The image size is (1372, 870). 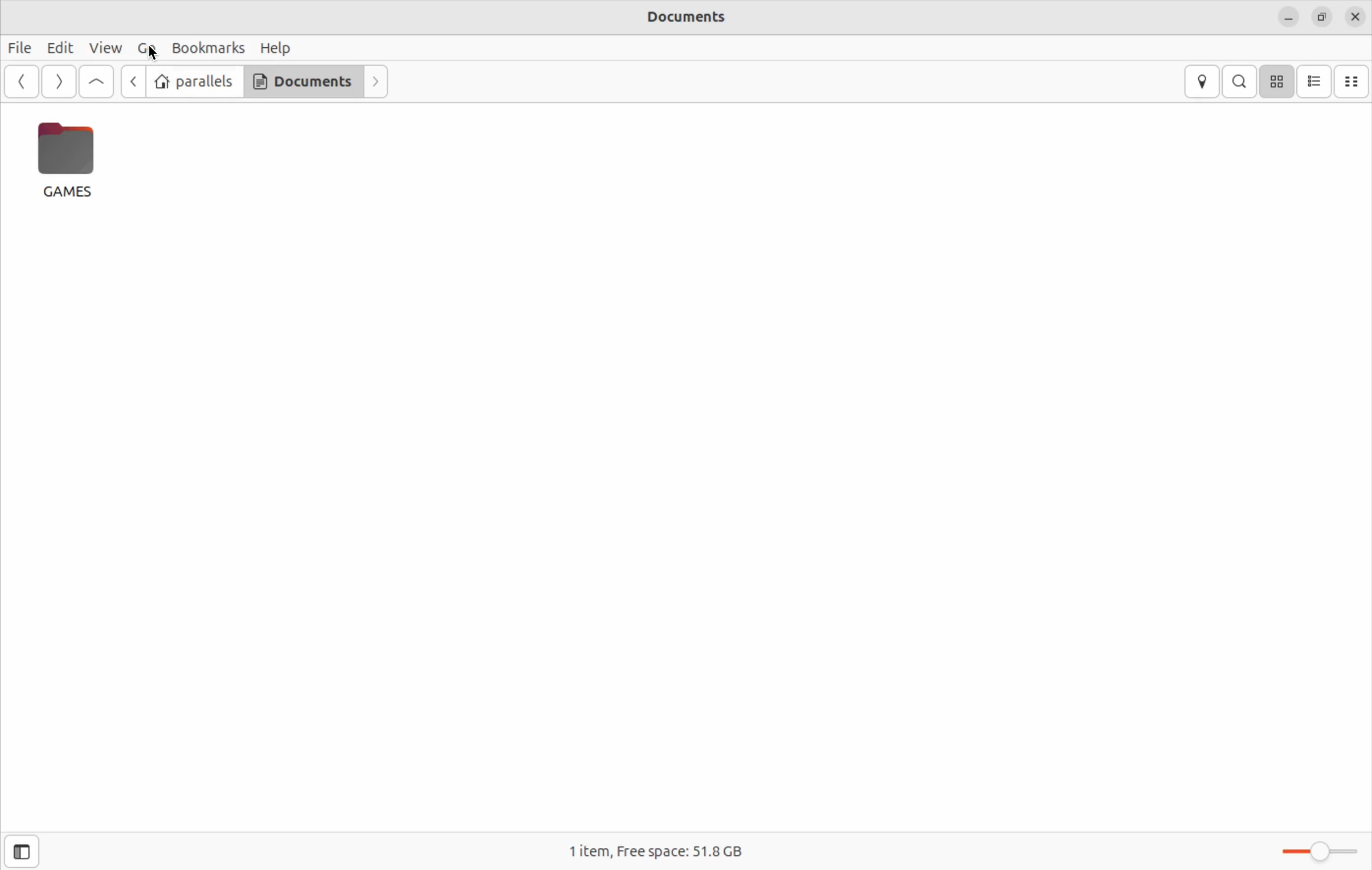 What do you see at coordinates (96, 80) in the screenshot?
I see `Go up` at bounding box center [96, 80].